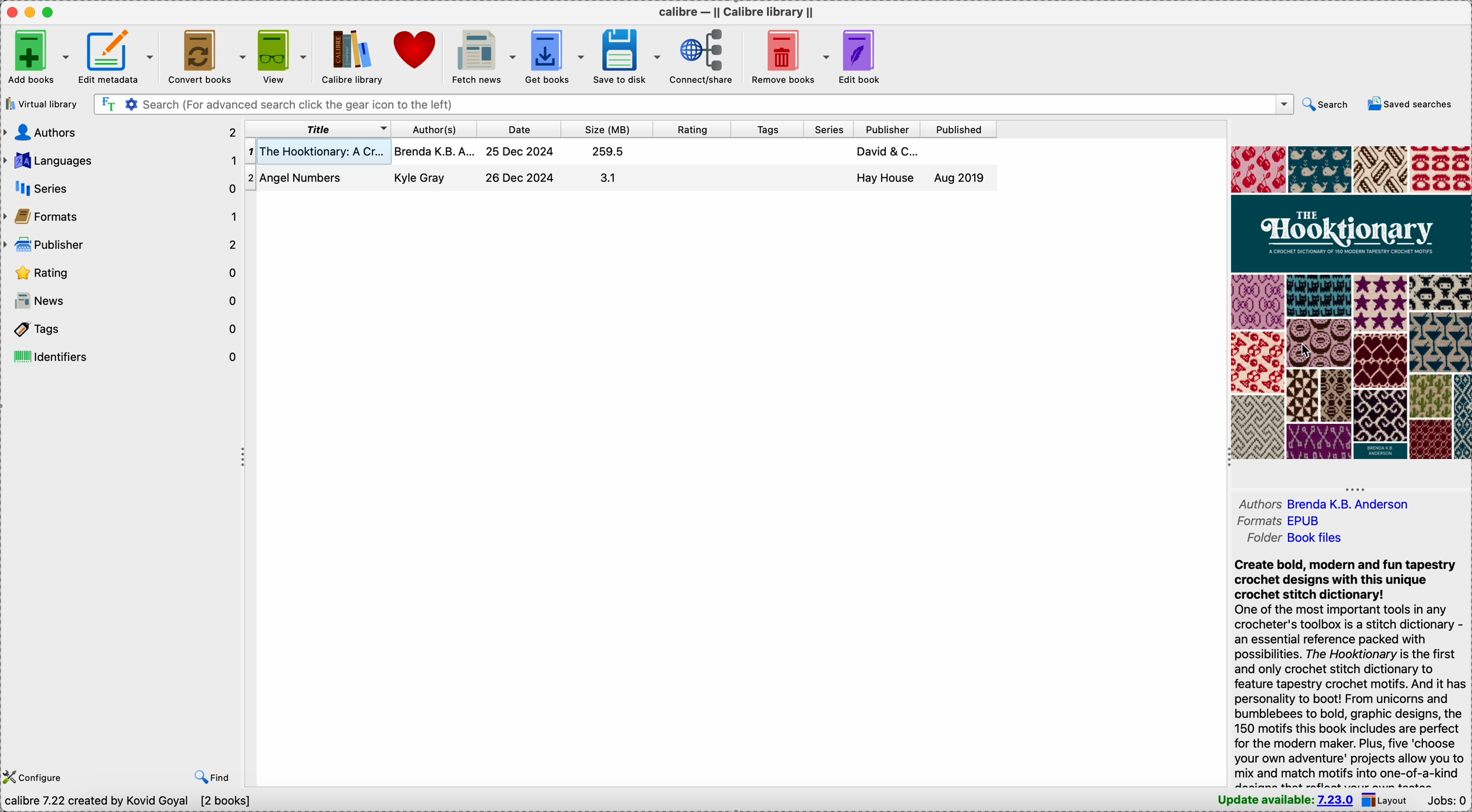 This screenshot has height=812, width=1472. I want to click on update available, so click(1286, 801).